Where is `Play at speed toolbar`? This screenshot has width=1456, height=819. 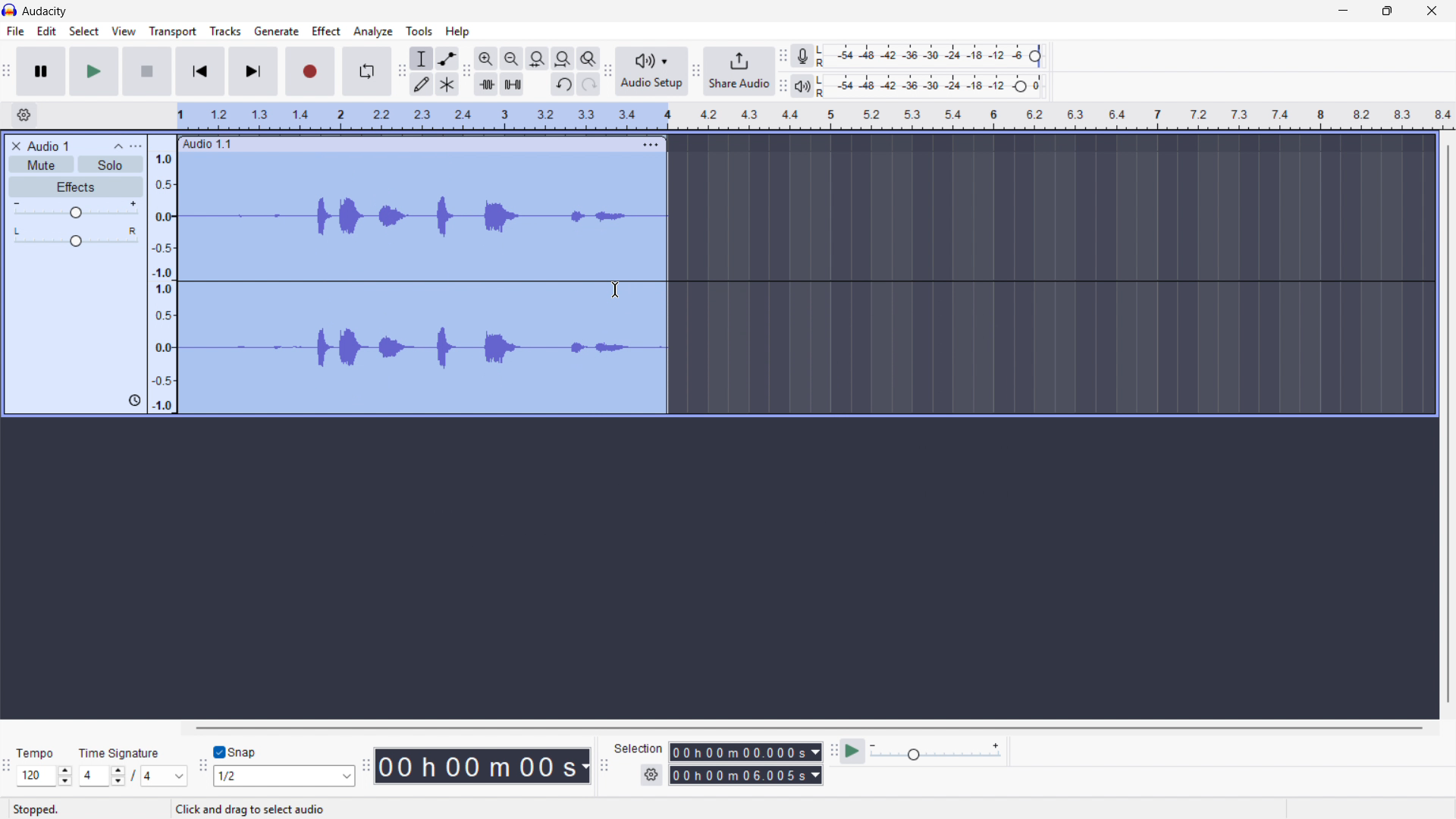 Play at speed toolbar is located at coordinates (831, 752).